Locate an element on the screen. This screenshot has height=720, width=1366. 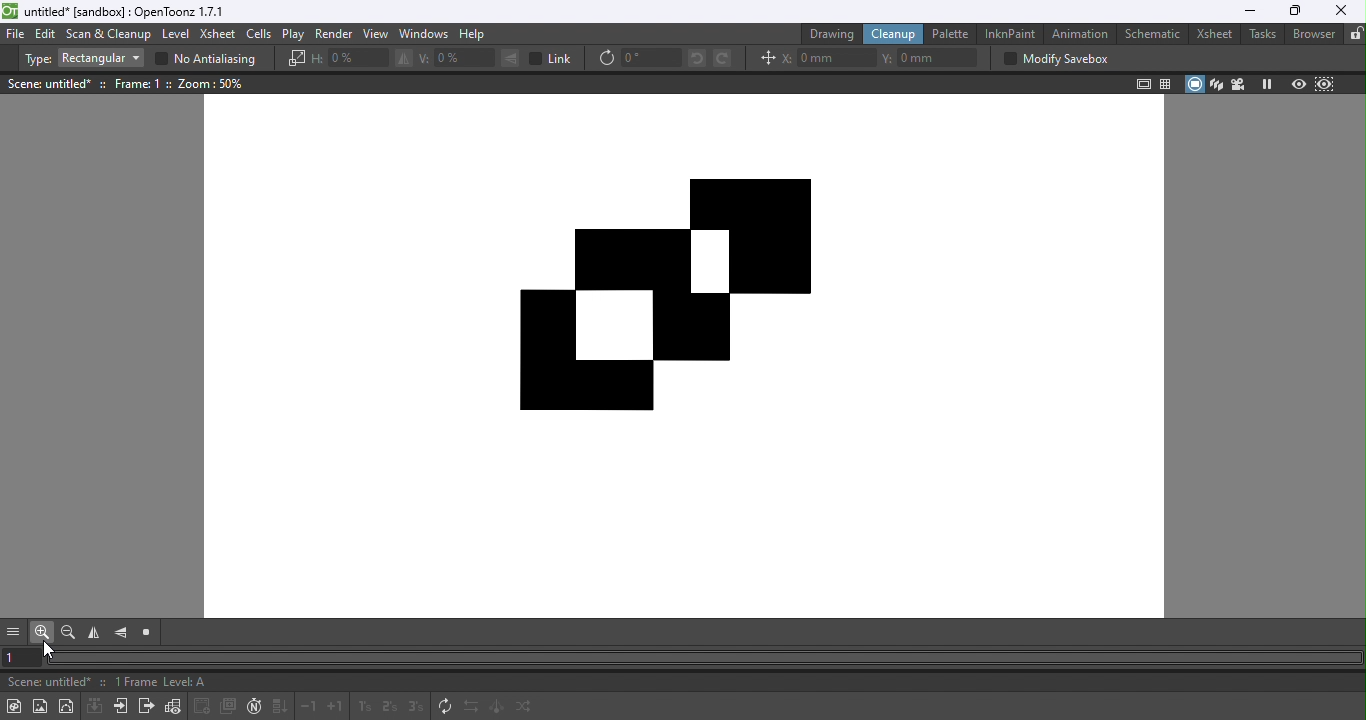
Select the current frame is located at coordinates (23, 657).